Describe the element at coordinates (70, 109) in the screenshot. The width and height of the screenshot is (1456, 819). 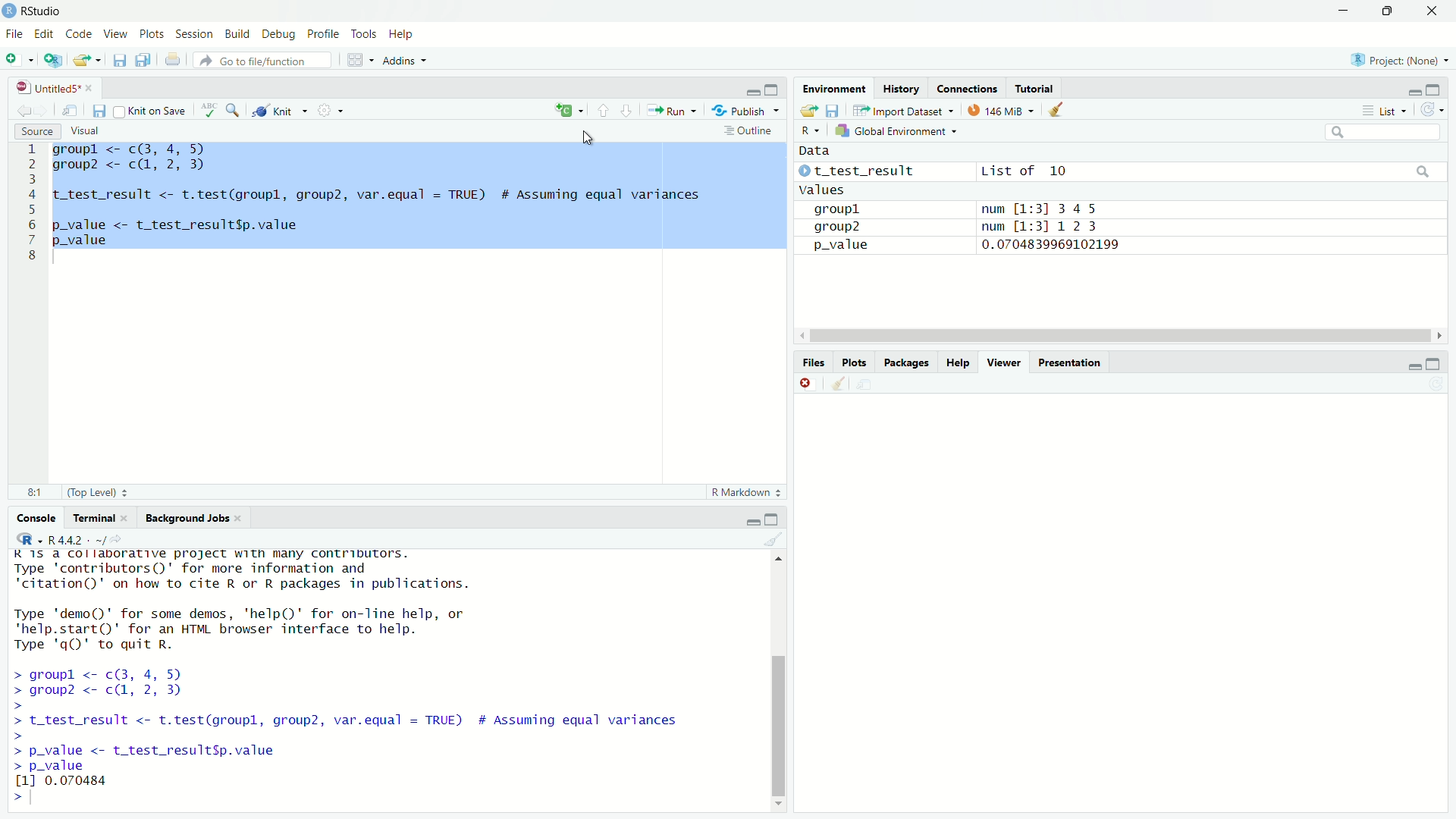
I see `show in new window` at that location.